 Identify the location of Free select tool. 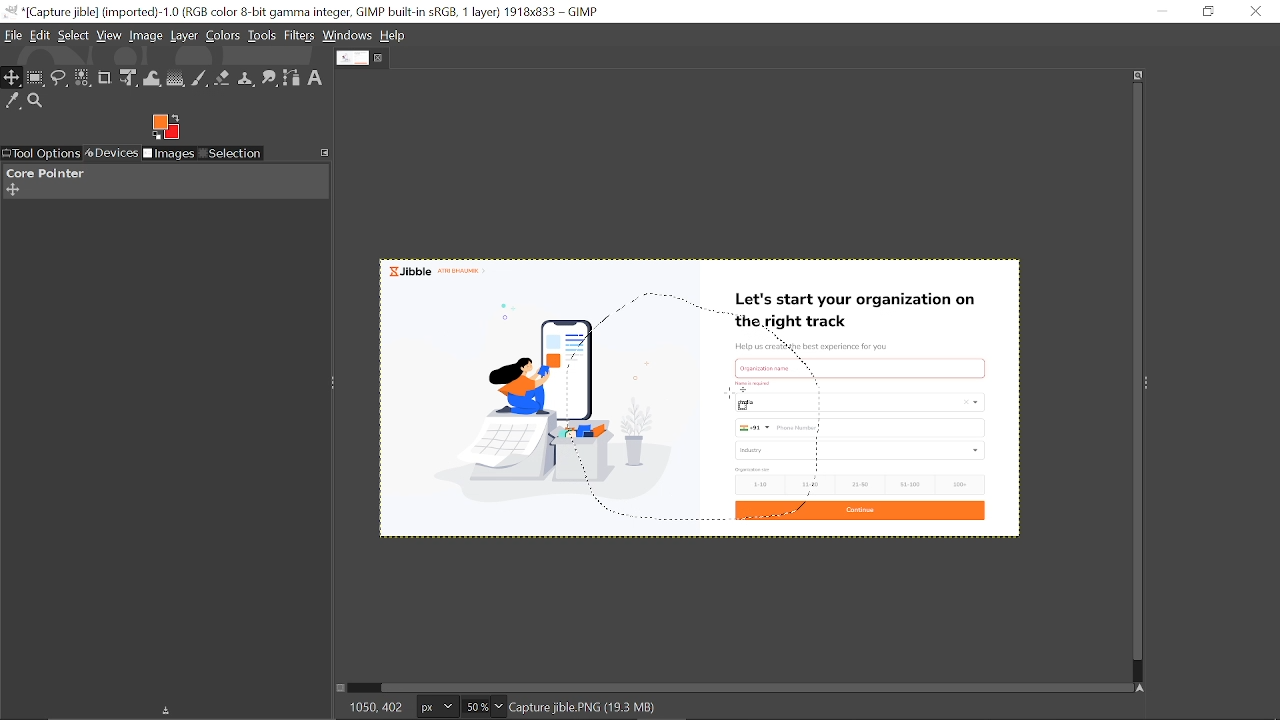
(60, 79).